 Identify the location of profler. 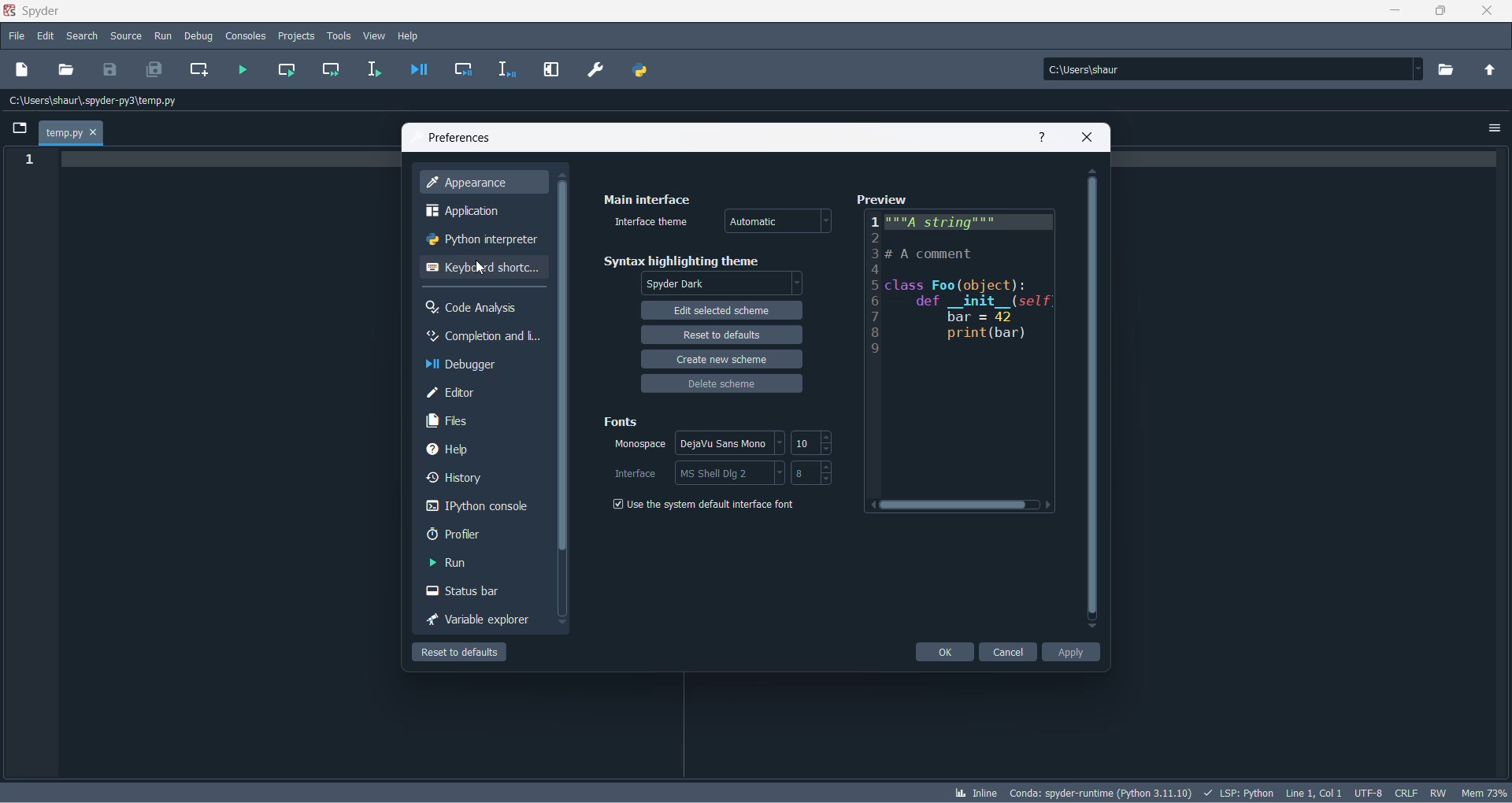
(475, 535).